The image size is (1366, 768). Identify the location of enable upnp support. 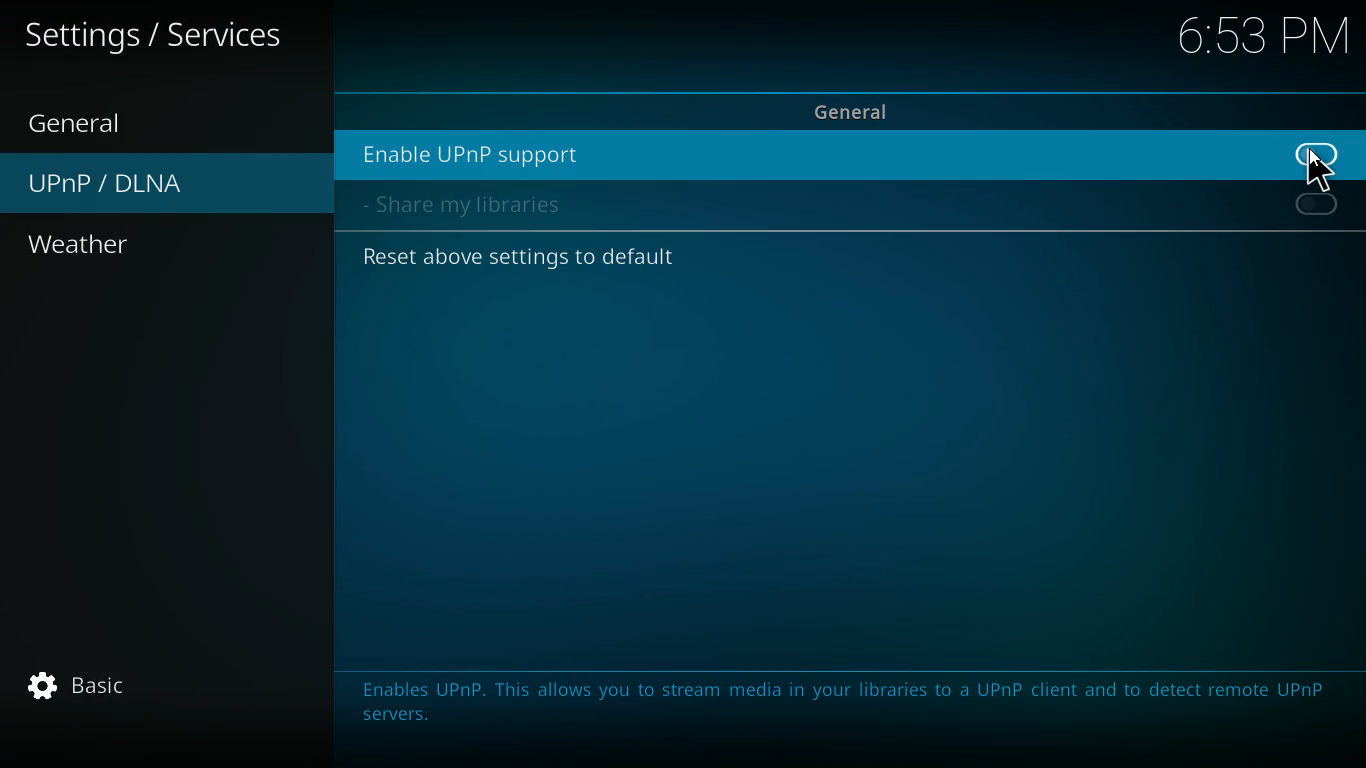
(496, 152).